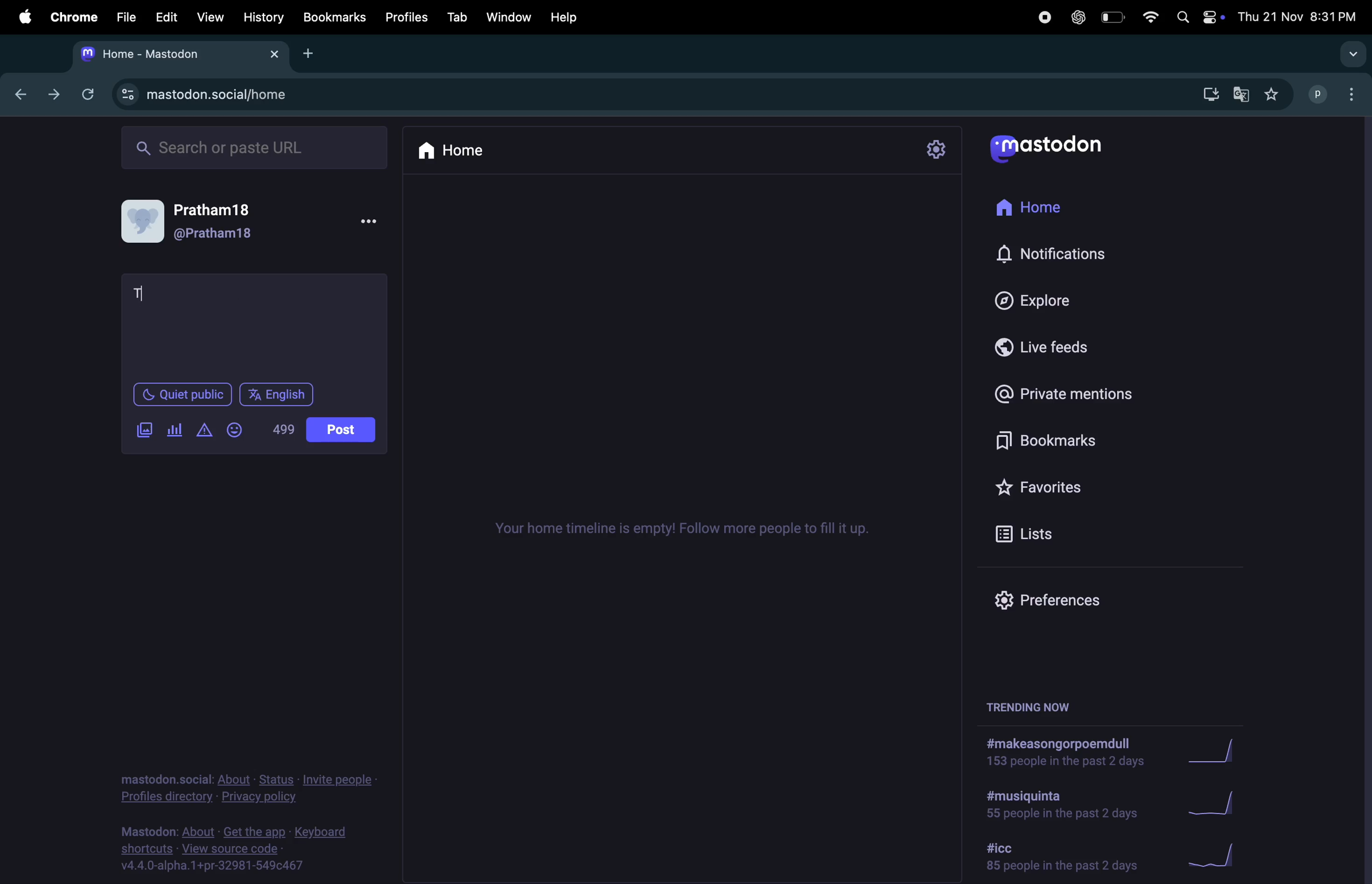  I want to click on view, so click(209, 15).